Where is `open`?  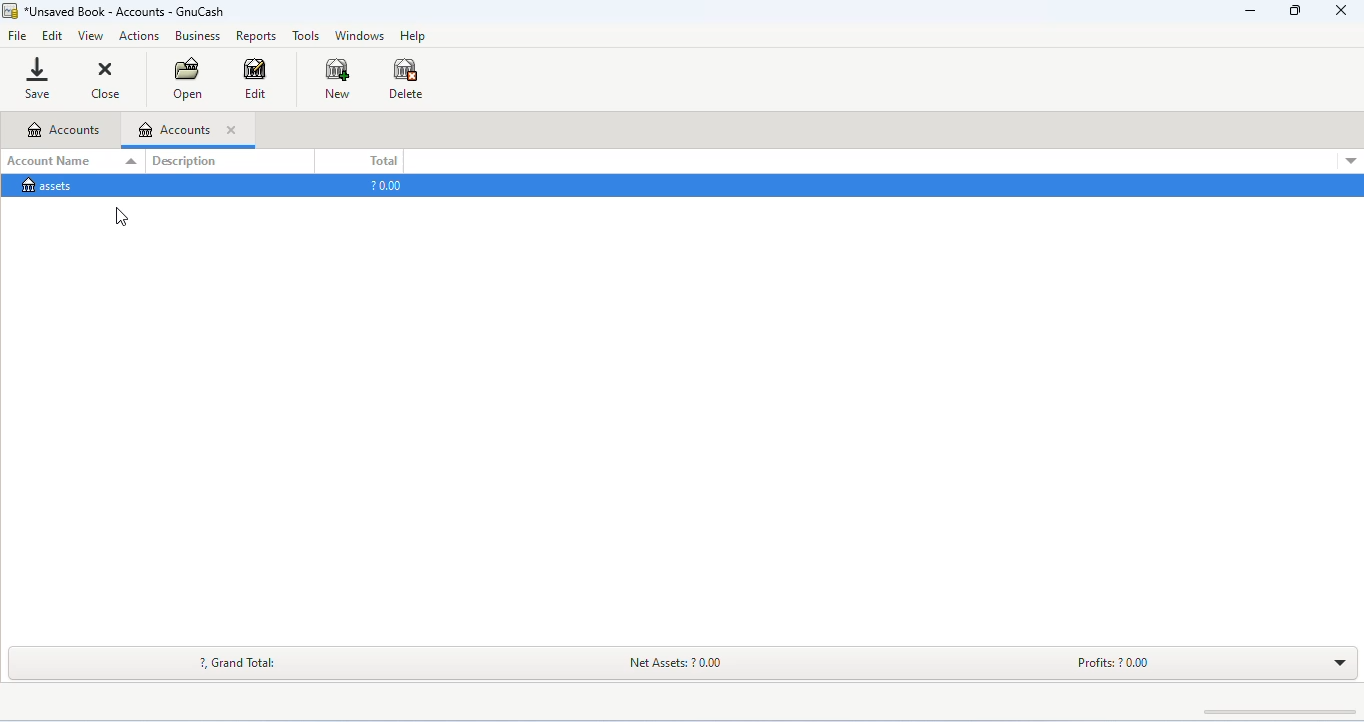 open is located at coordinates (185, 79).